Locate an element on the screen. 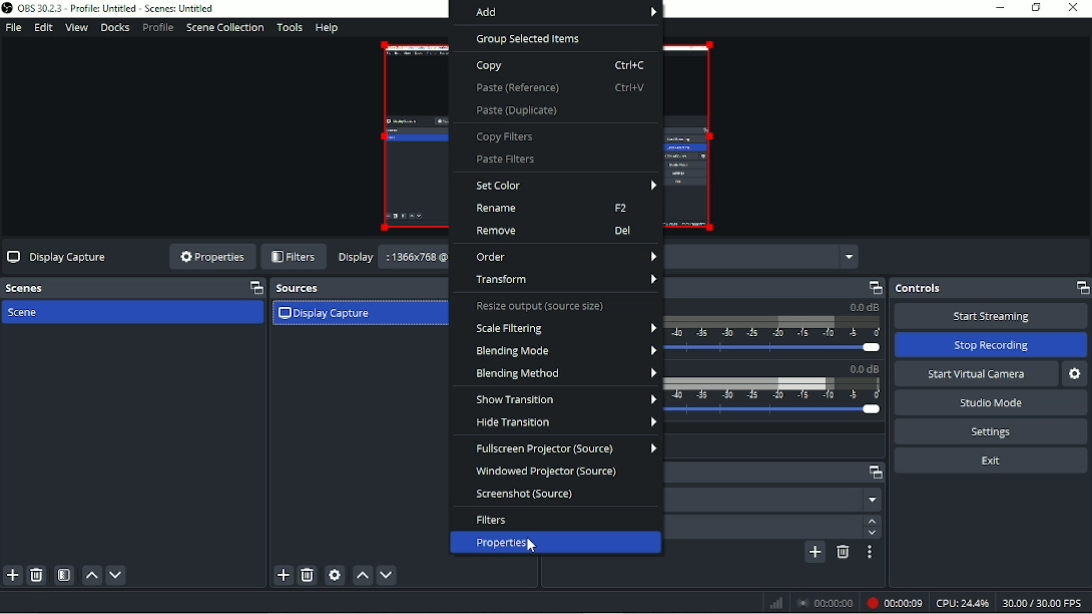 Image resolution: width=1092 pixels, height=614 pixels. Add source is located at coordinates (282, 575).